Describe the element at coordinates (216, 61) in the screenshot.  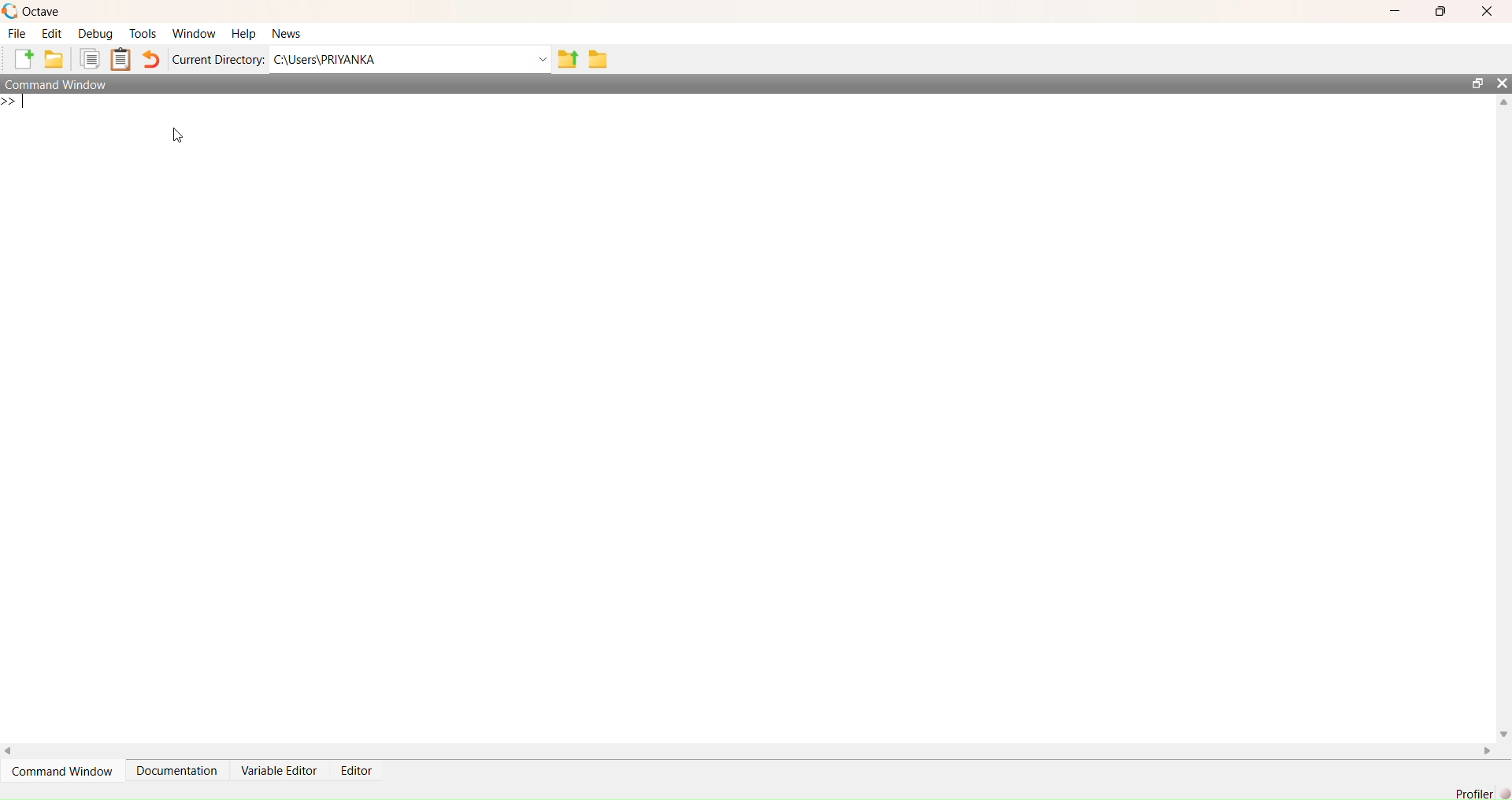
I see `‘Current Directory:` at that location.